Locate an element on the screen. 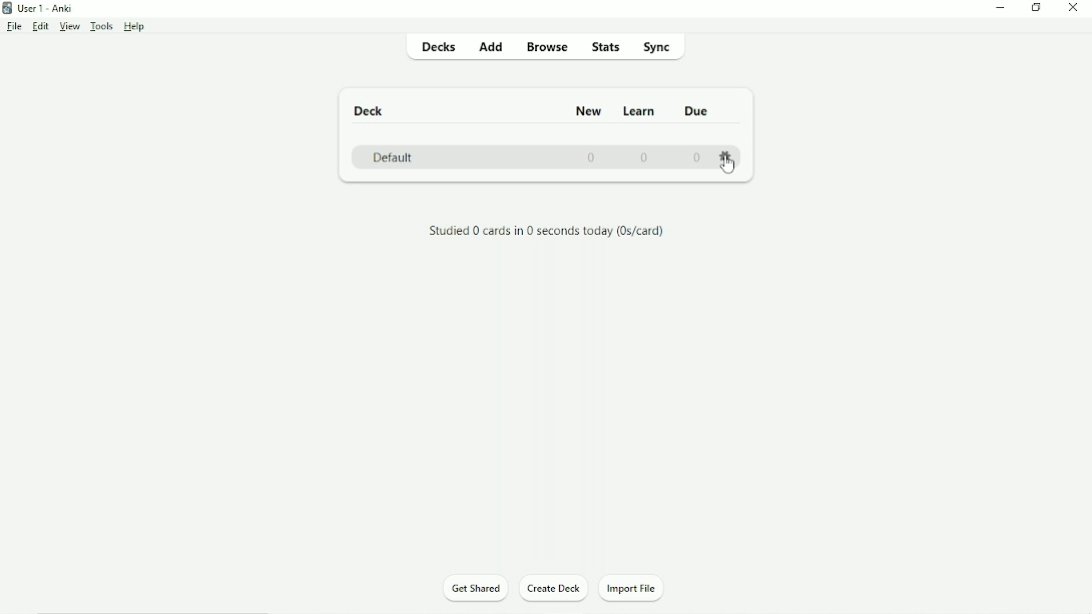 This screenshot has height=614, width=1092. Decks is located at coordinates (436, 47).